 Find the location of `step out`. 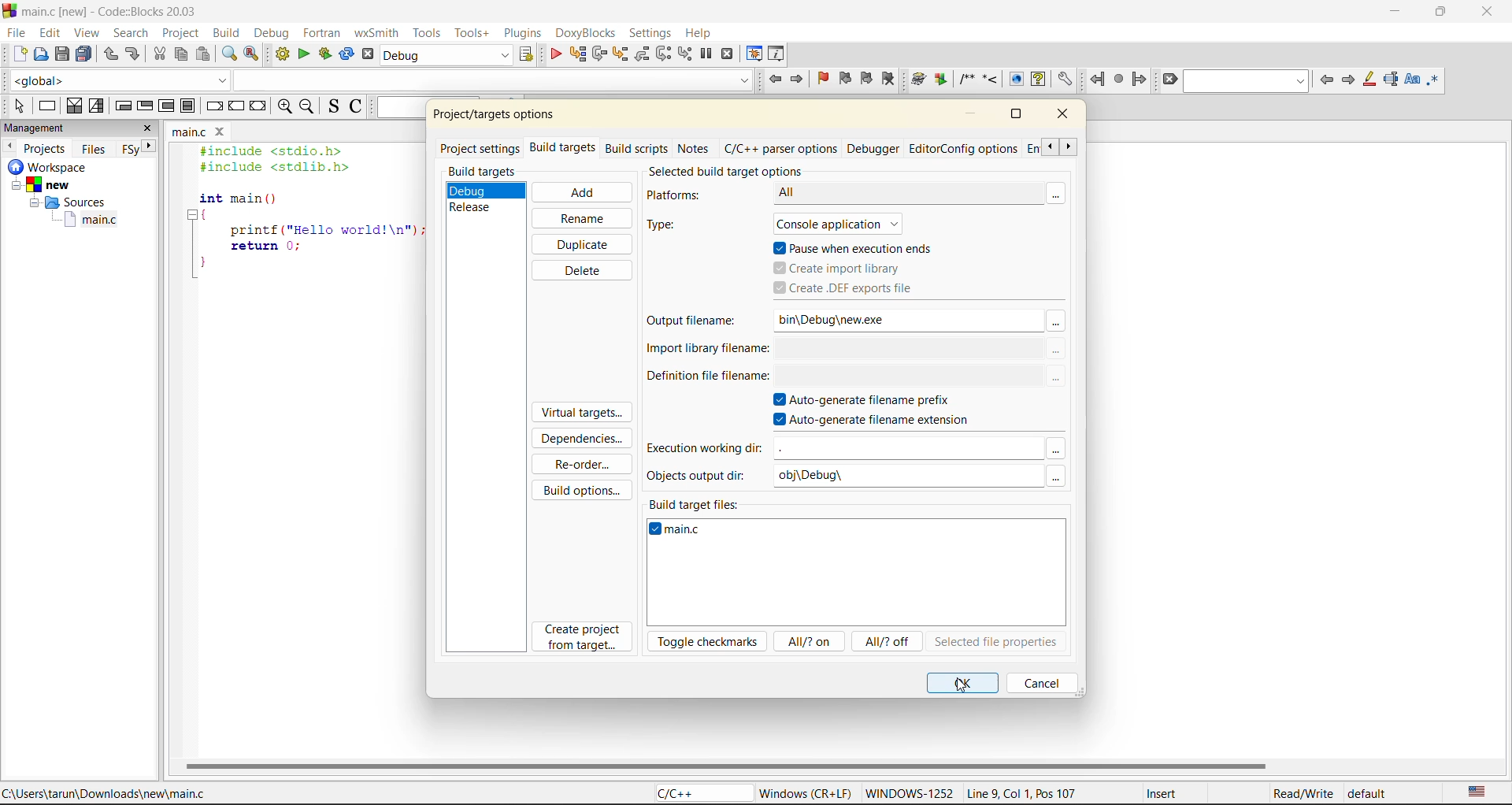

step out is located at coordinates (643, 54).